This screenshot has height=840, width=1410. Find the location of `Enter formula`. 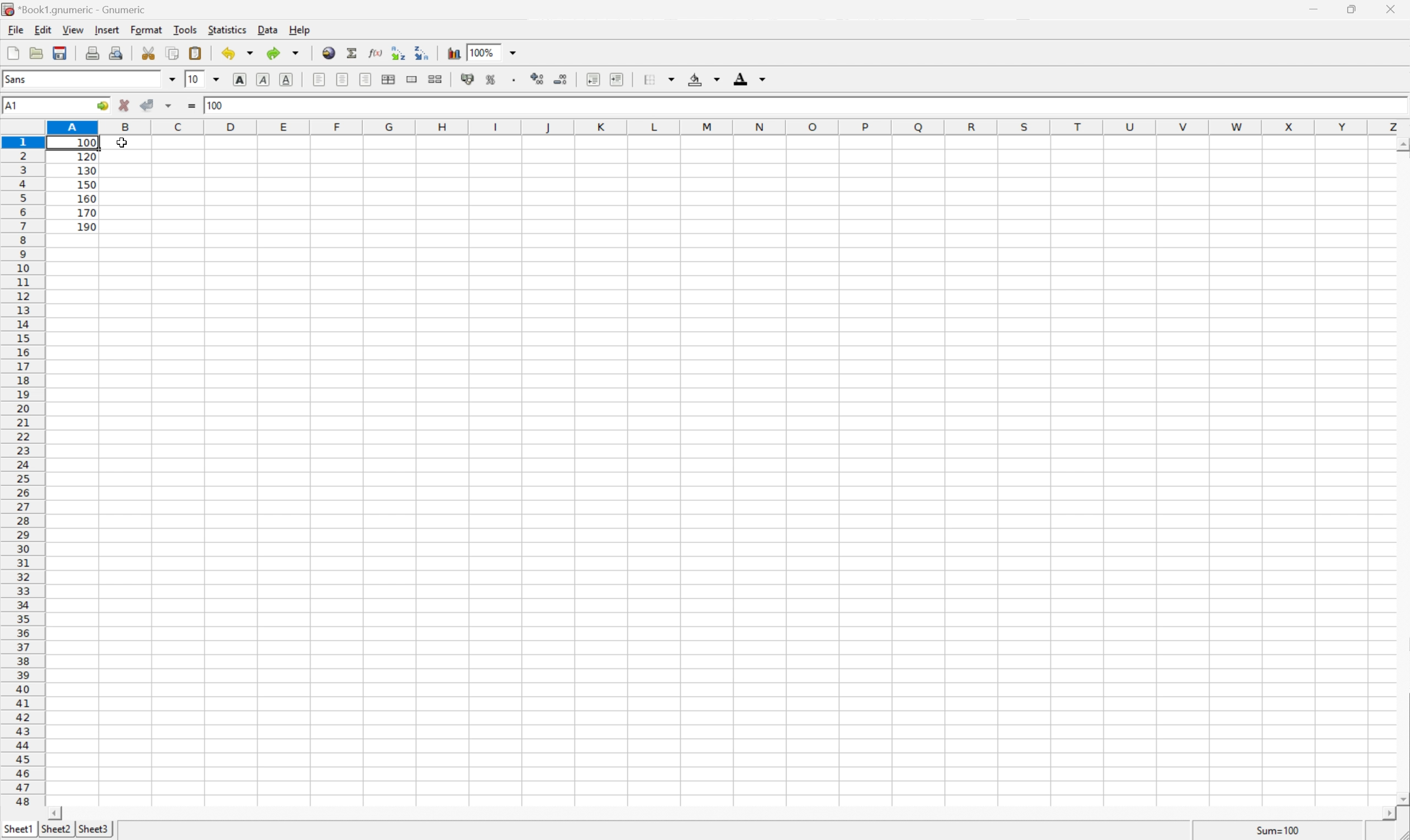

Enter formula is located at coordinates (193, 104).